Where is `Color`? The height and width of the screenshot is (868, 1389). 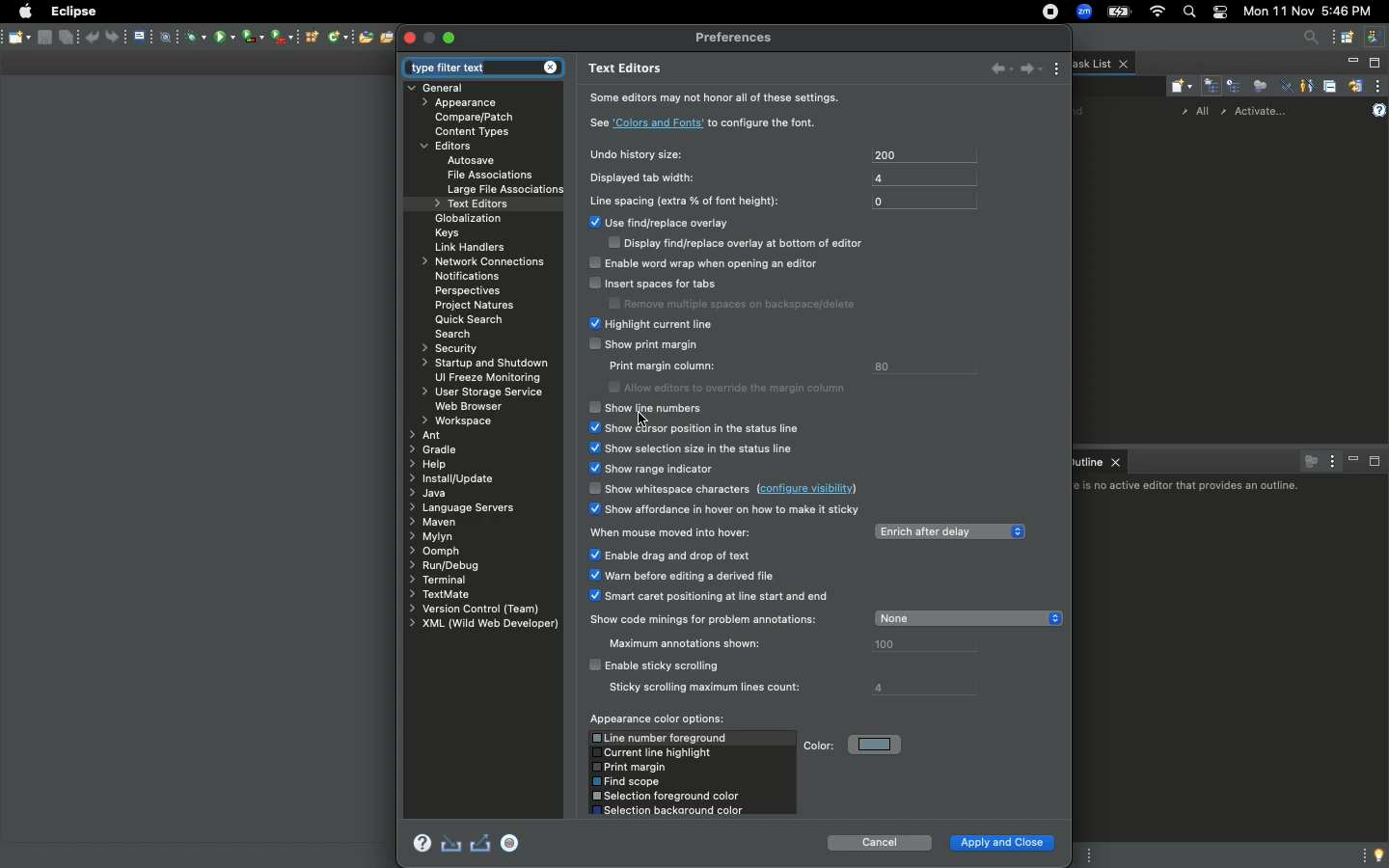 Color is located at coordinates (854, 743).